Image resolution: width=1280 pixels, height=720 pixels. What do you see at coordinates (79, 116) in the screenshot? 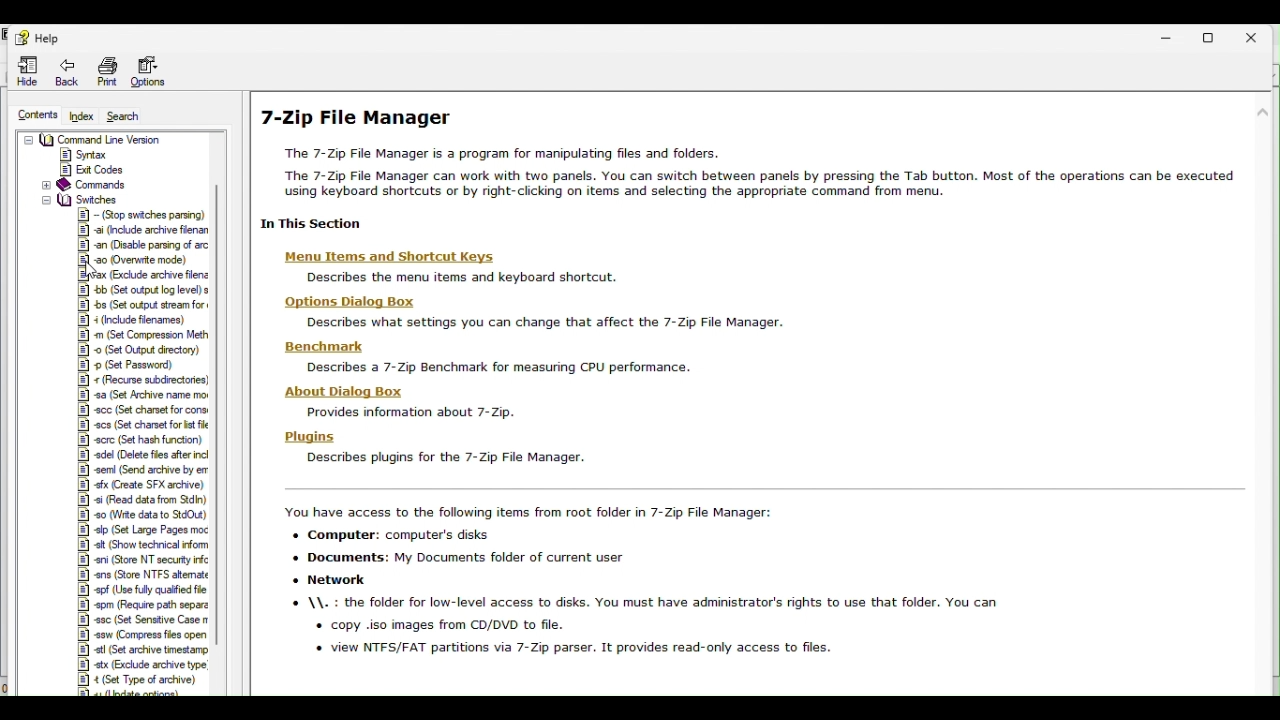
I see `Index` at bounding box center [79, 116].